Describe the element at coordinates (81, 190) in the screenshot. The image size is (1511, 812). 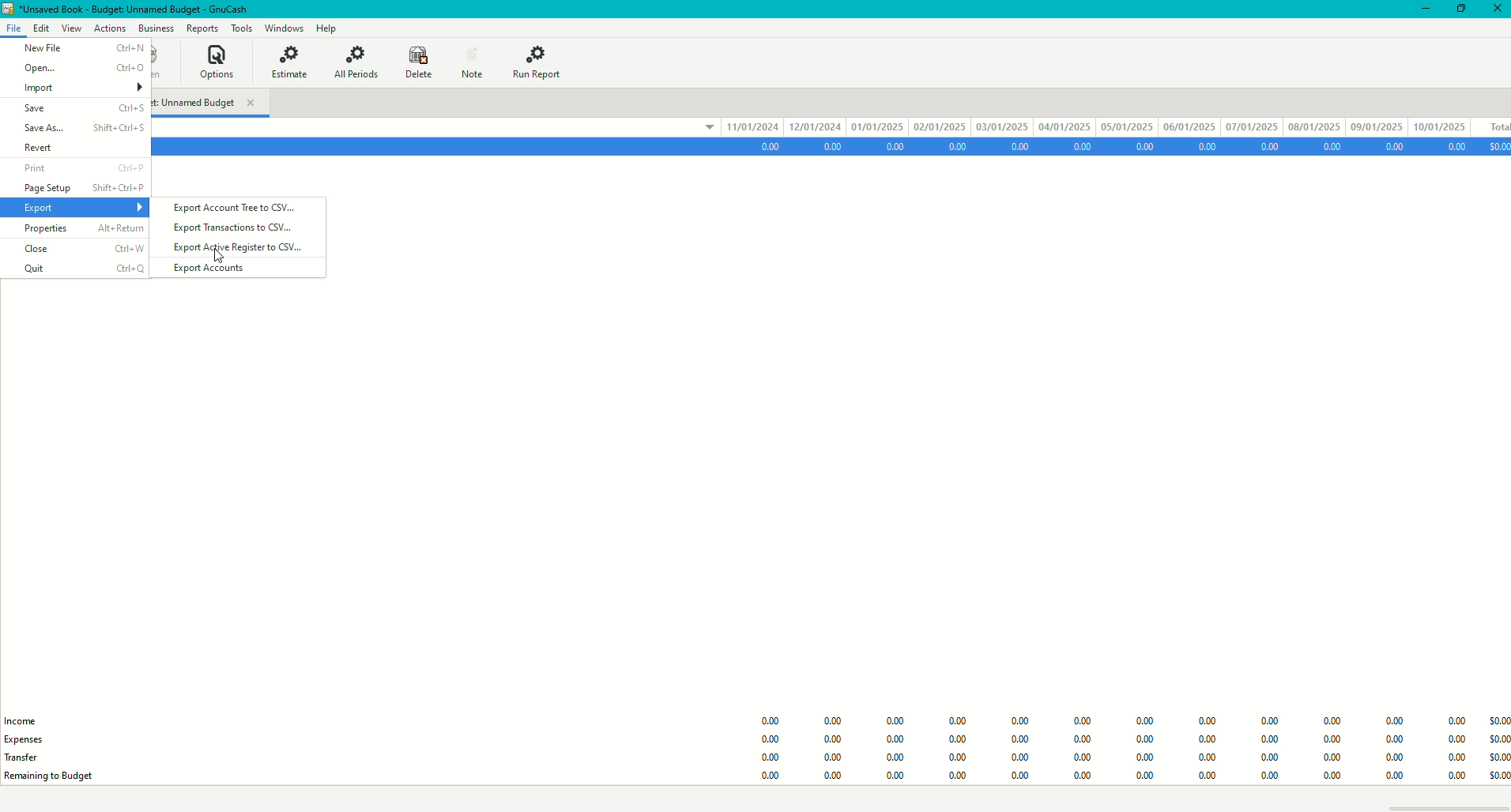
I see `Page Setup` at that location.